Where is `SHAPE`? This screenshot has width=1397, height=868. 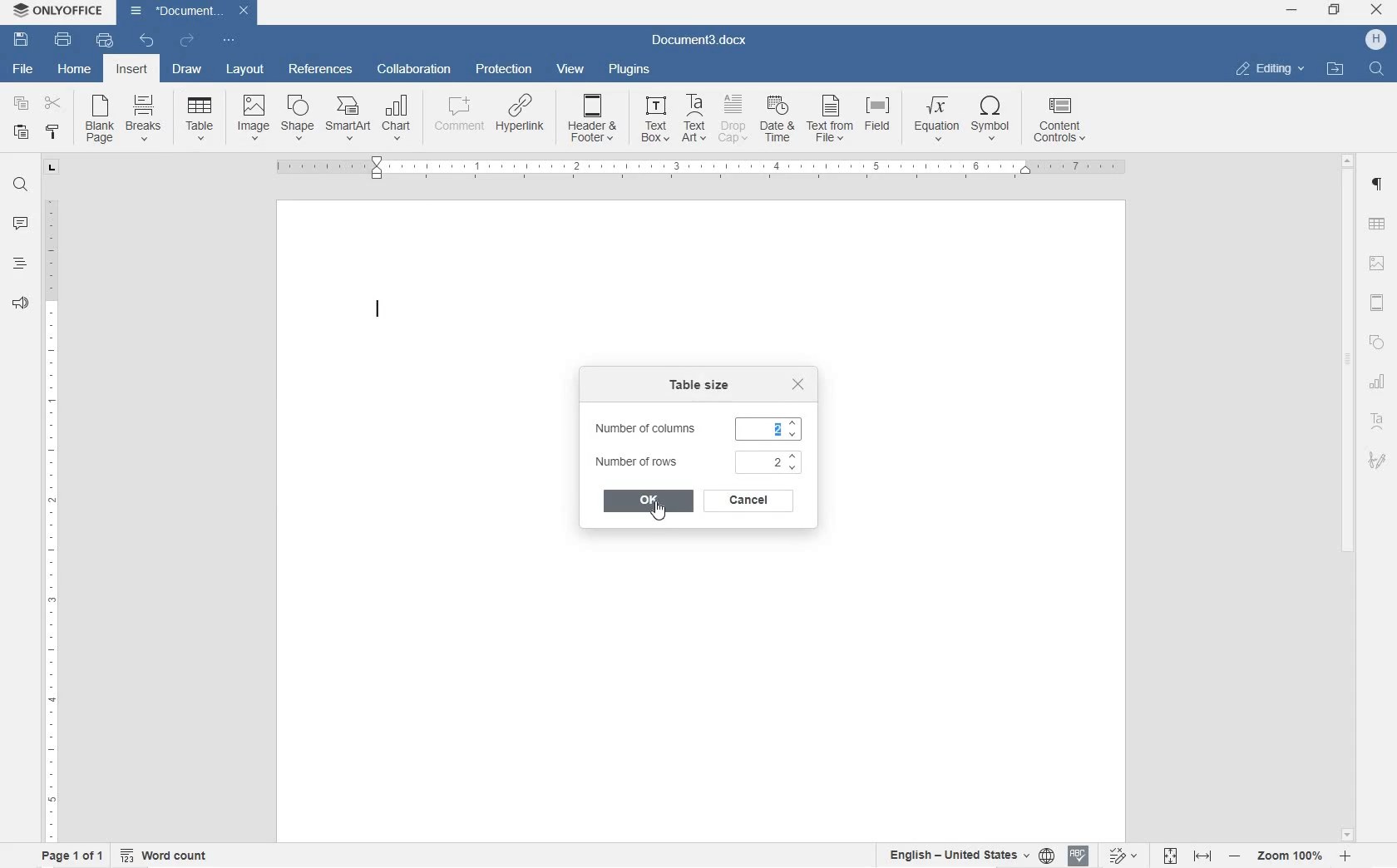 SHAPE is located at coordinates (1375, 345).